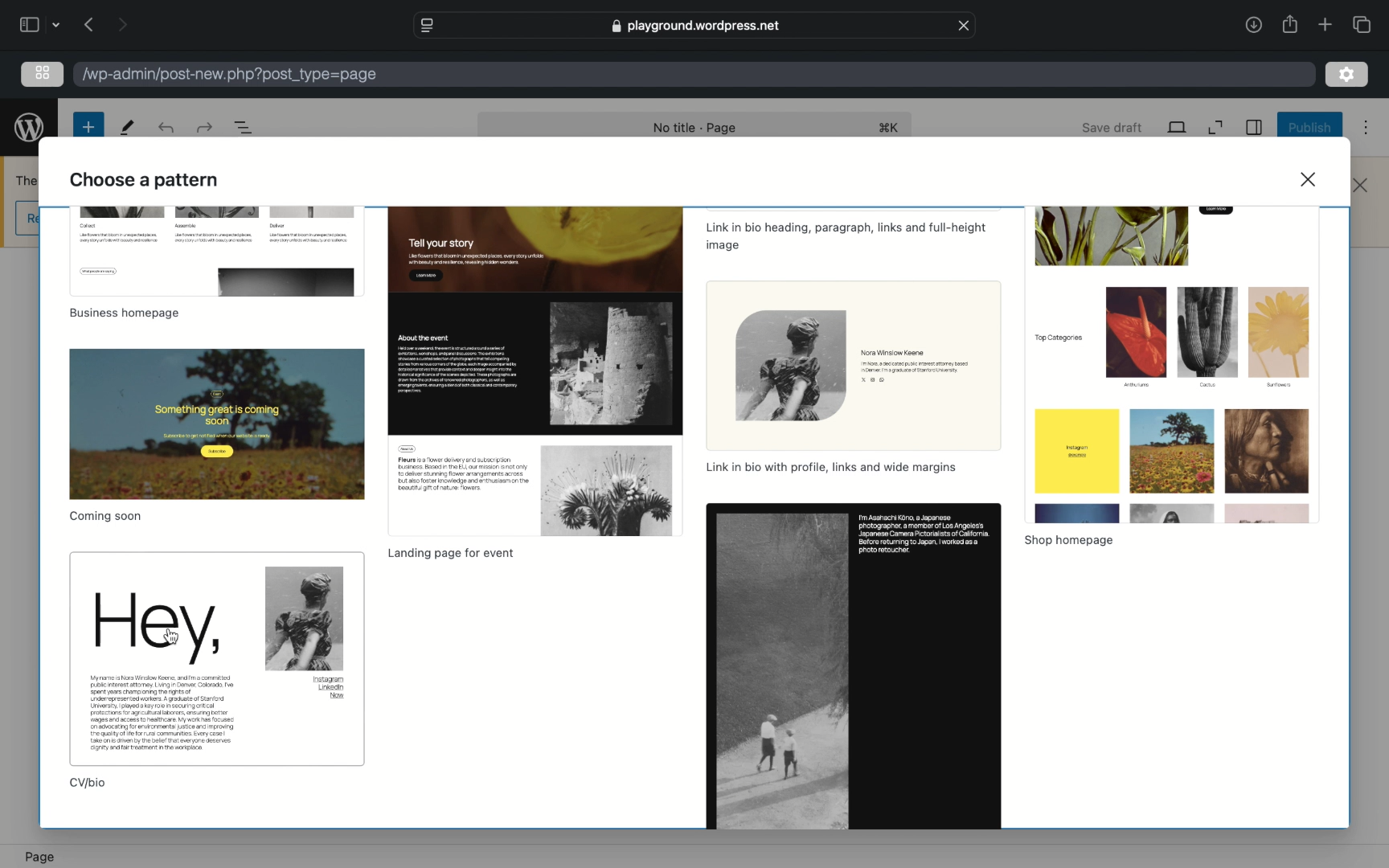 The image size is (1389, 868). I want to click on web address, so click(695, 26).